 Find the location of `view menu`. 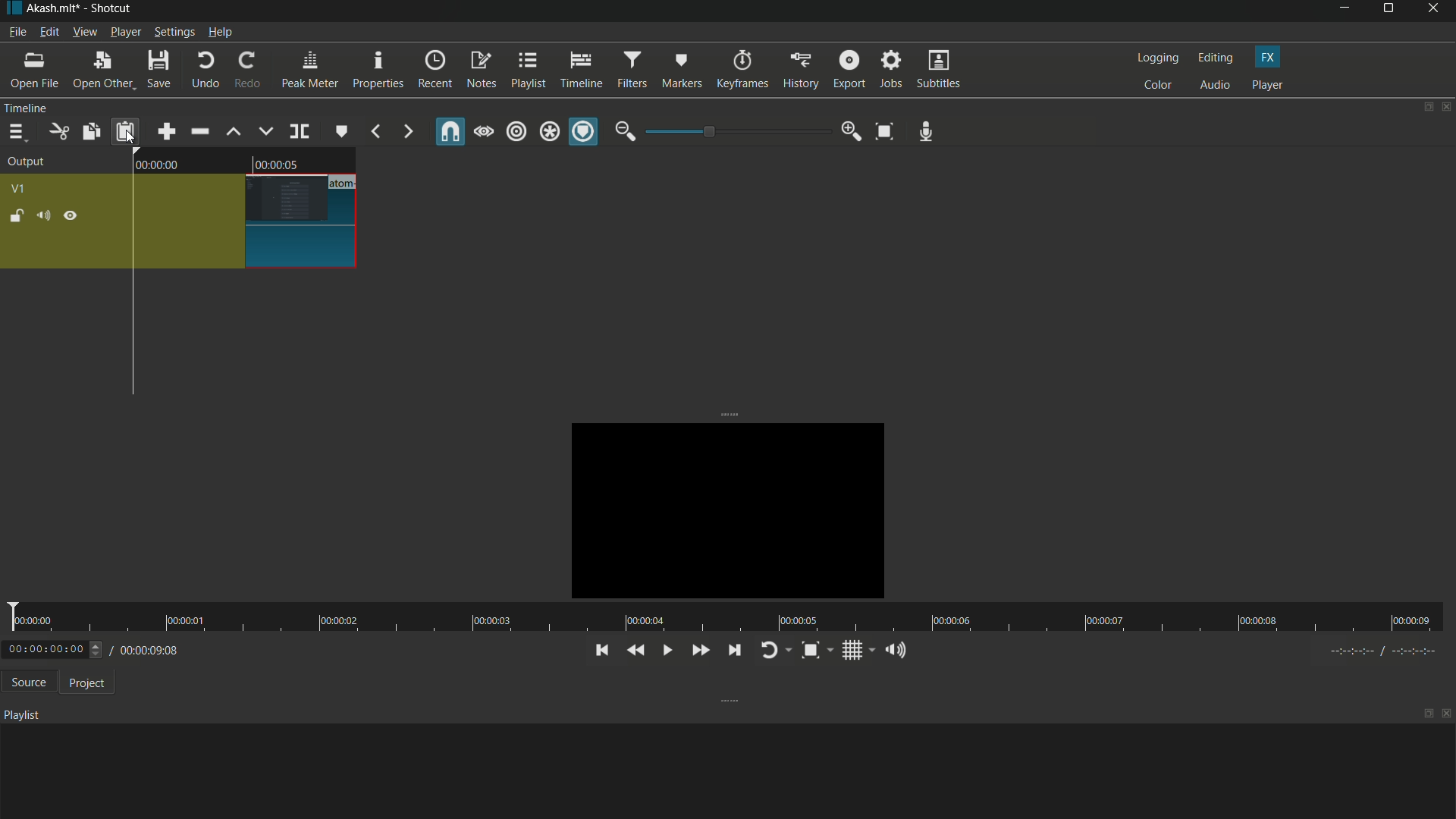

view menu is located at coordinates (83, 32).